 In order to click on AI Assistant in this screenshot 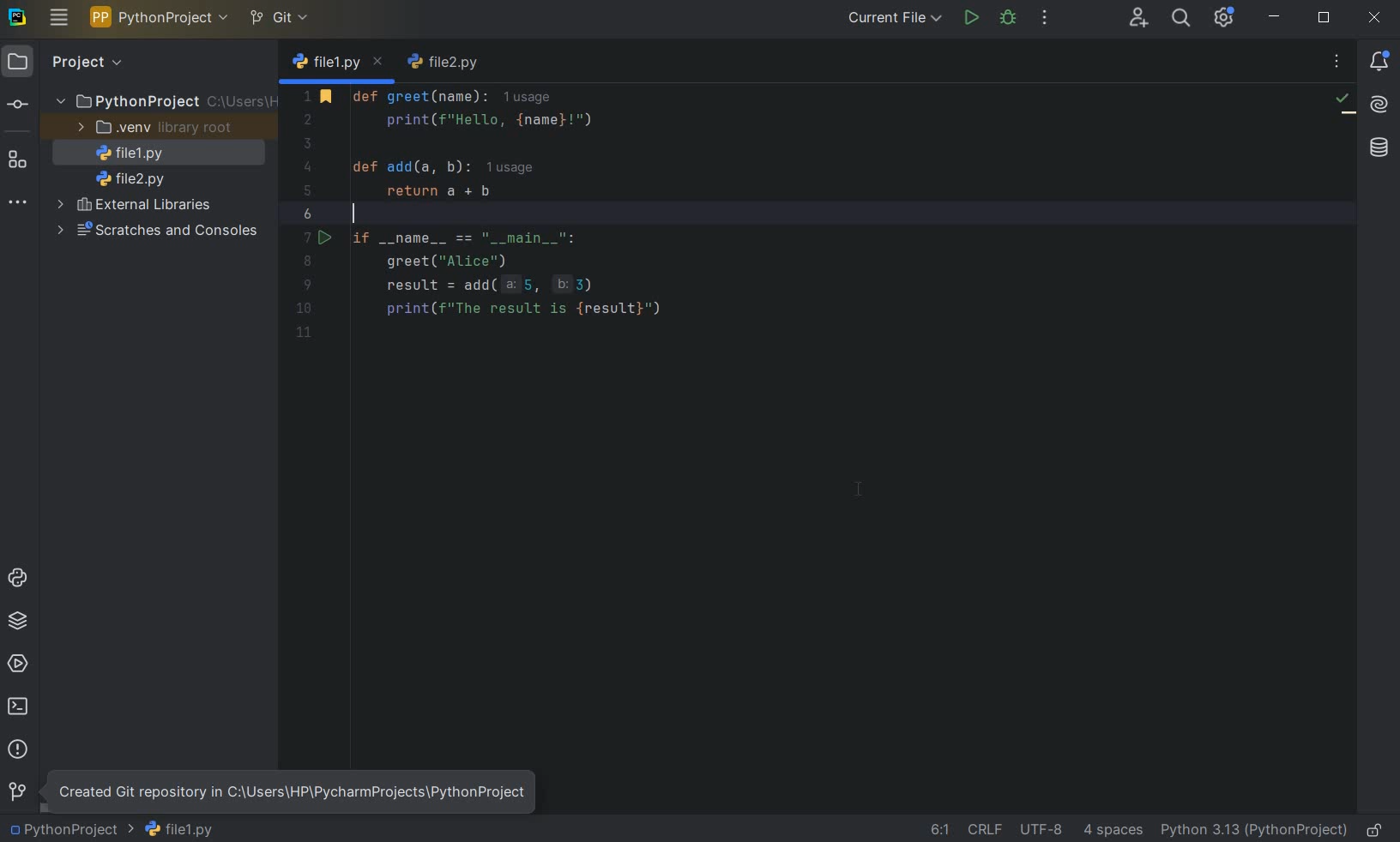, I will do `click(1380, 106)`.